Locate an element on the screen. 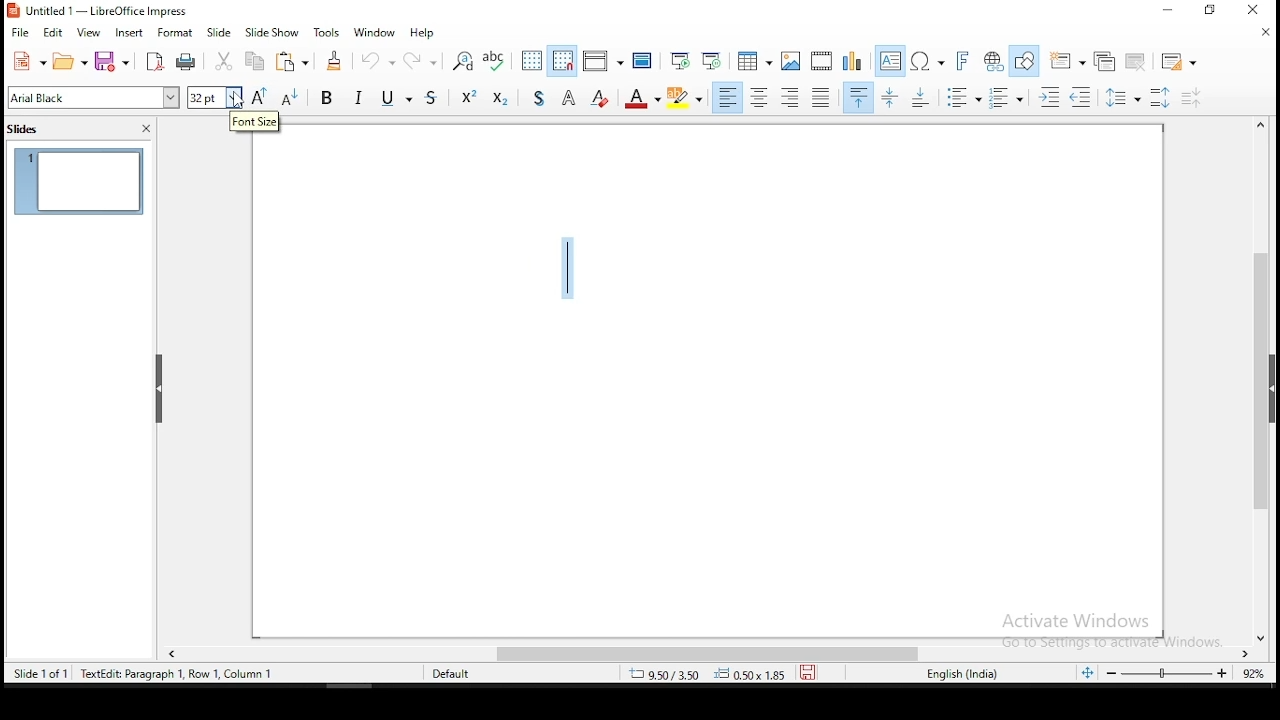  tools is located at coordinates (328, 31).